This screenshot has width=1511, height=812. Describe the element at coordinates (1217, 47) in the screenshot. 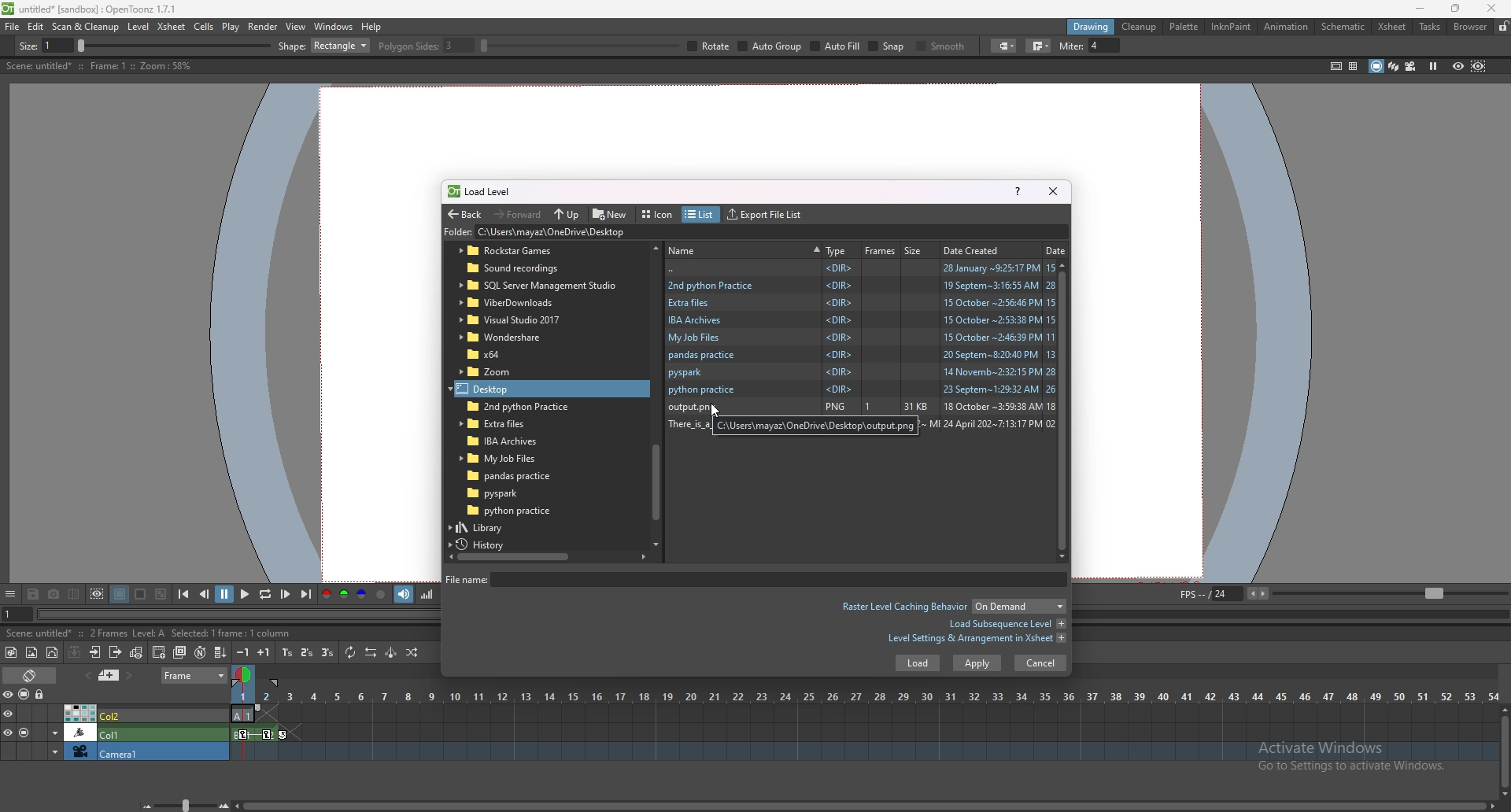

I see `smooth` at that location.